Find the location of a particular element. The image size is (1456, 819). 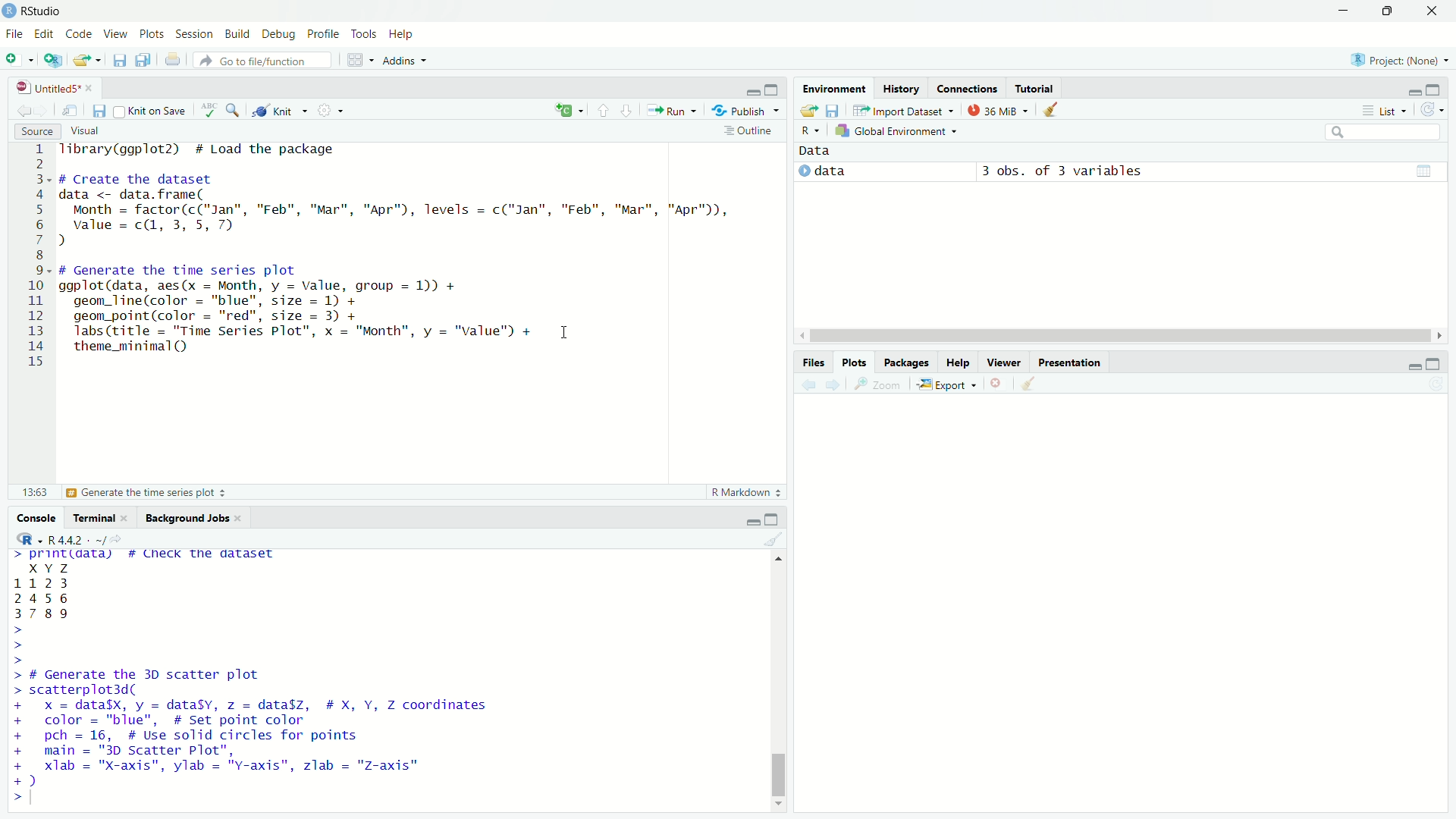

settings is located at coordinates (332, 111).